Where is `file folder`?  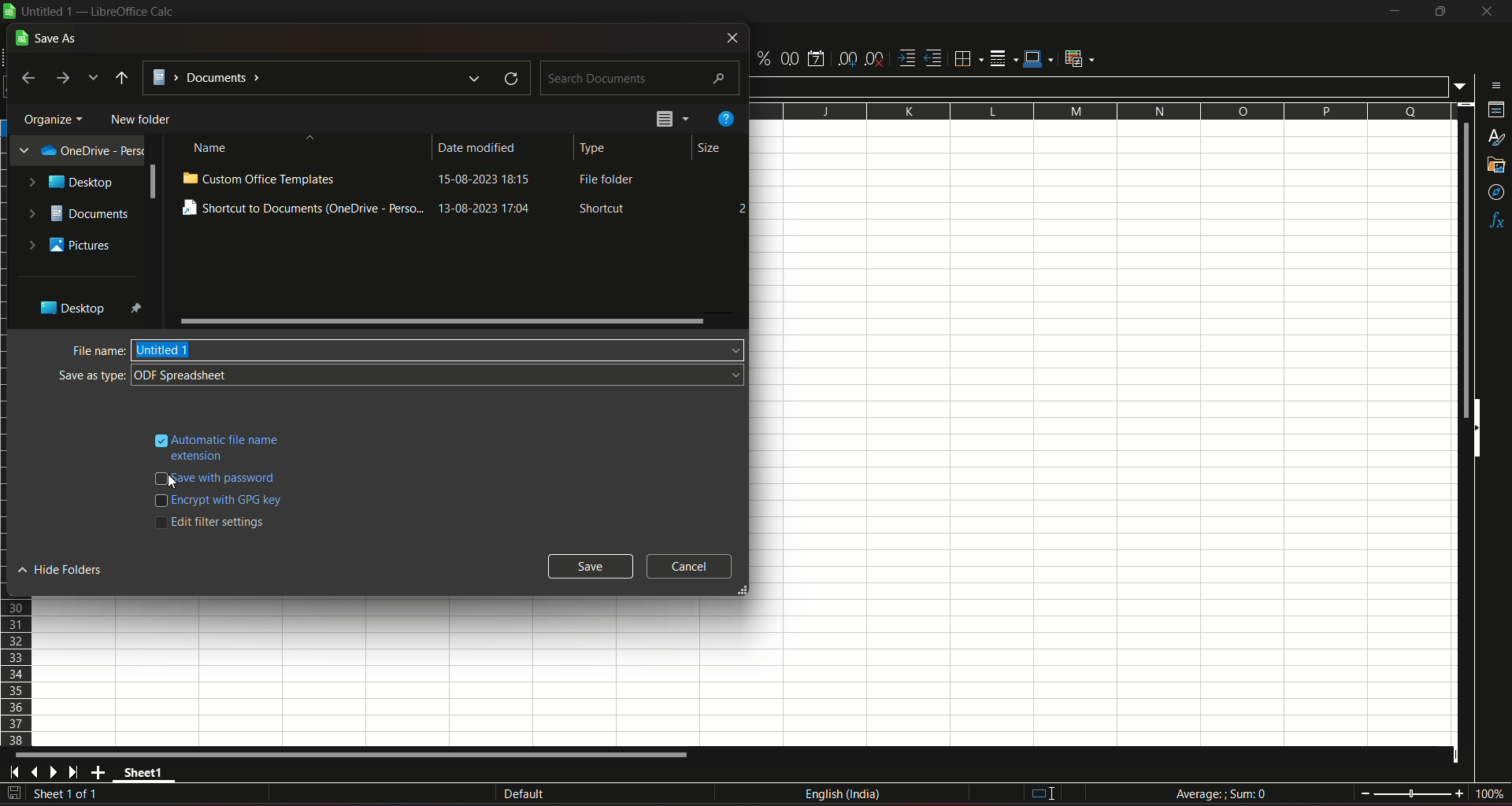 file folder is located at coordinates (609, 182).